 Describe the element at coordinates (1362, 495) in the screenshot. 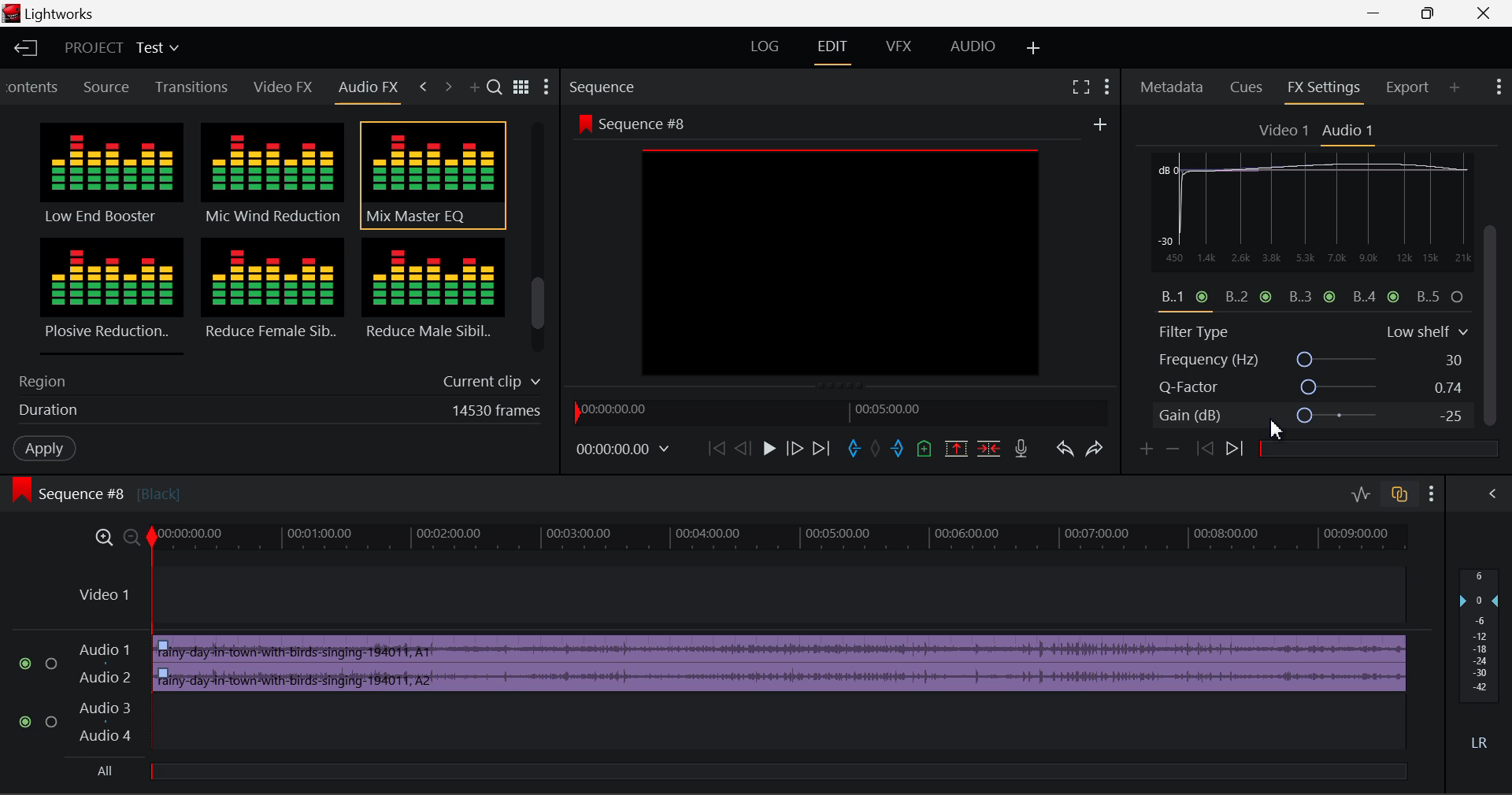

I see `Toggle Audio Levels Editing` at that location.